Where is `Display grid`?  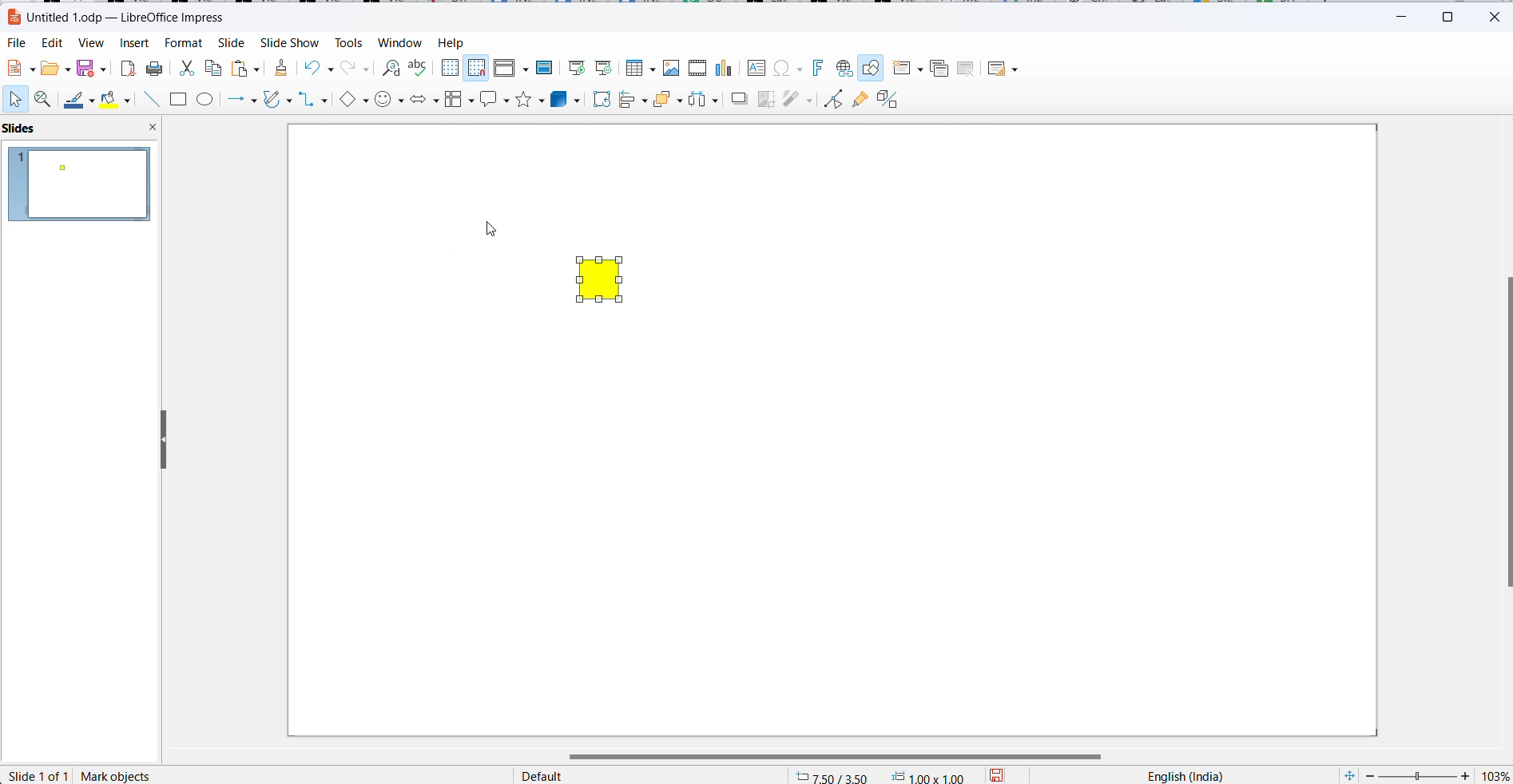
Display grid is located at coordinates (450, 66).